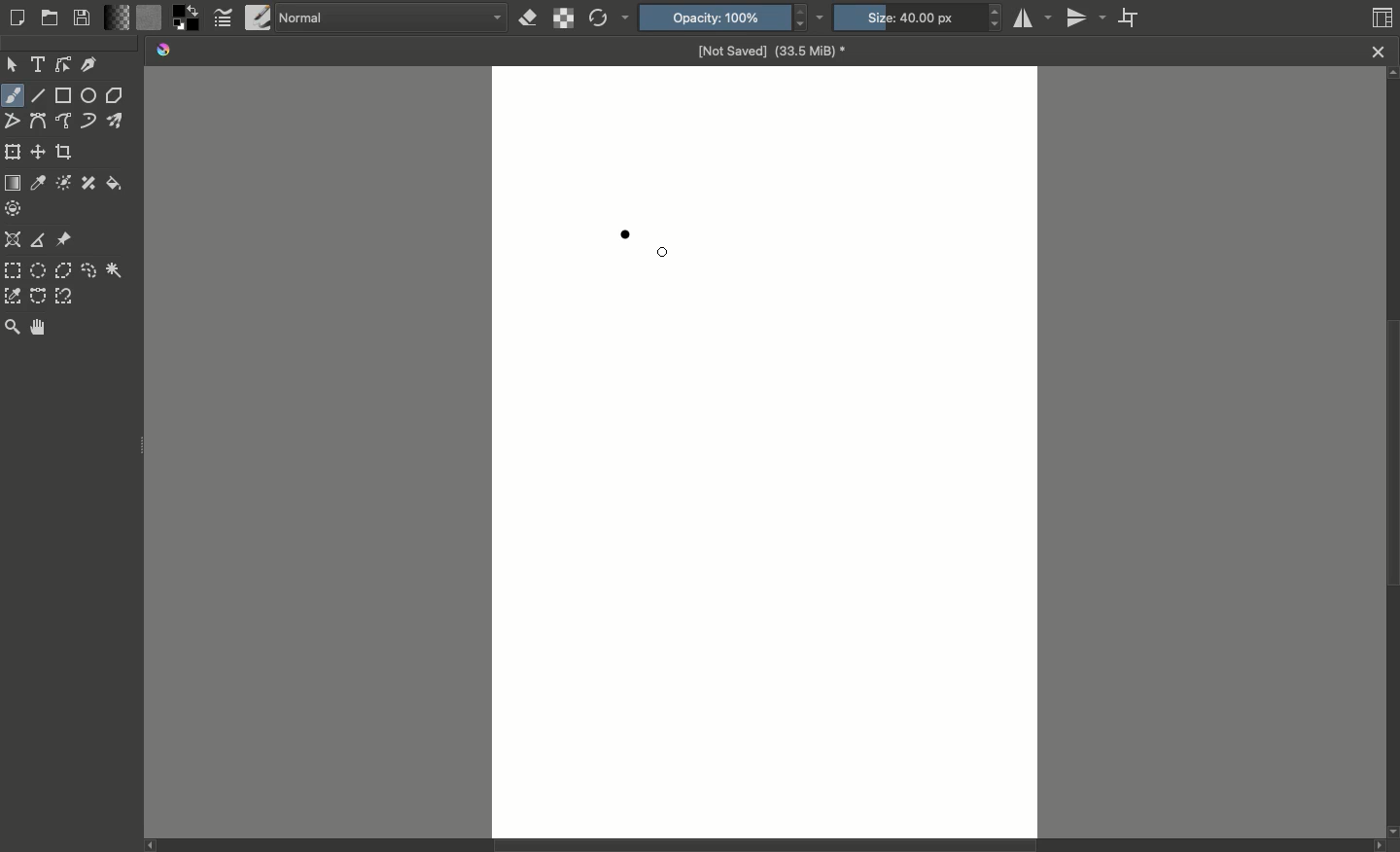 The height and width of the screenshot is (852, 1400). What do you see at coordinates (88, 121) in the screenshot?
I see `Dynamic brush tool` at bounding box center [88, 121].